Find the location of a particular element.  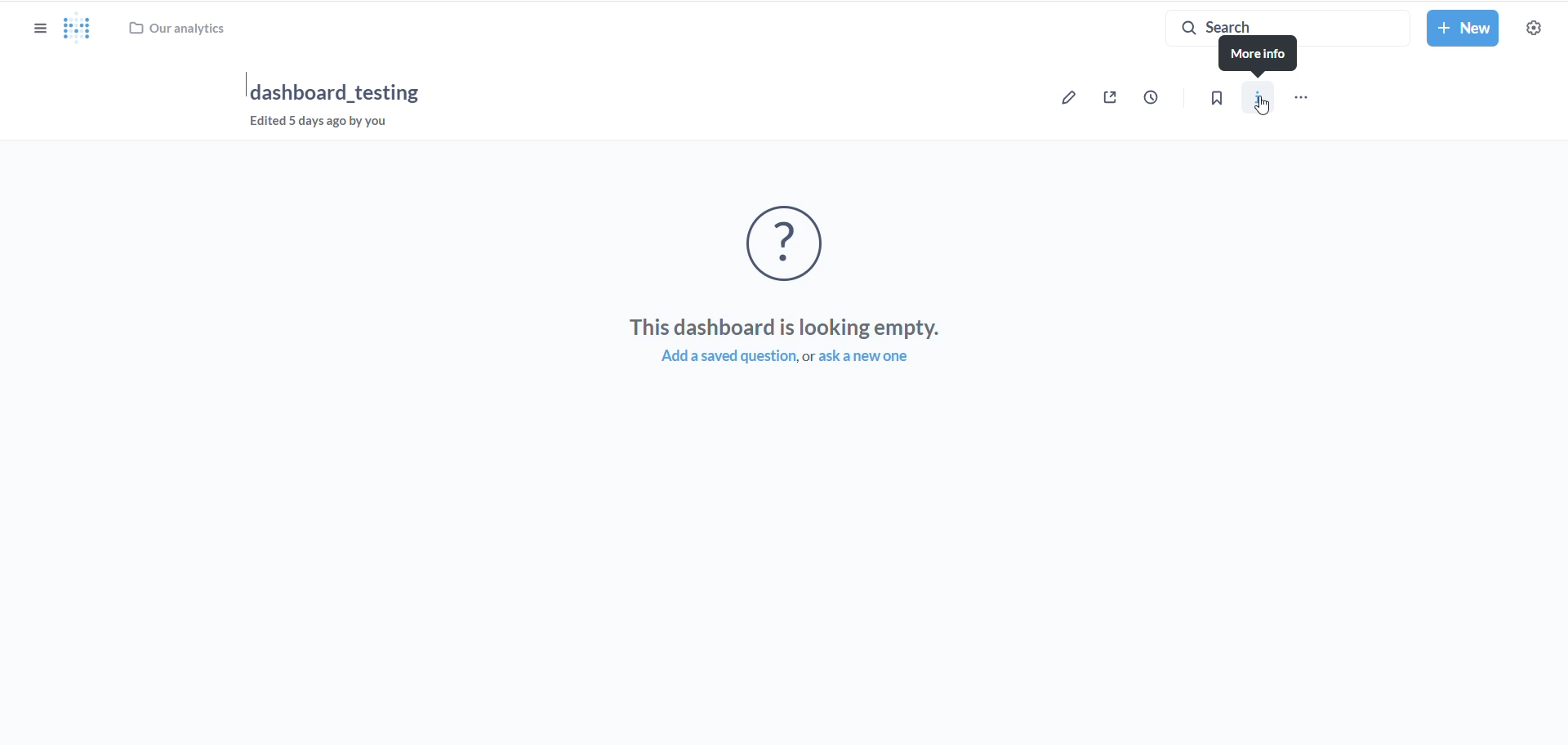

This dashboard is looking empty. is located at coordinates (786, 326).